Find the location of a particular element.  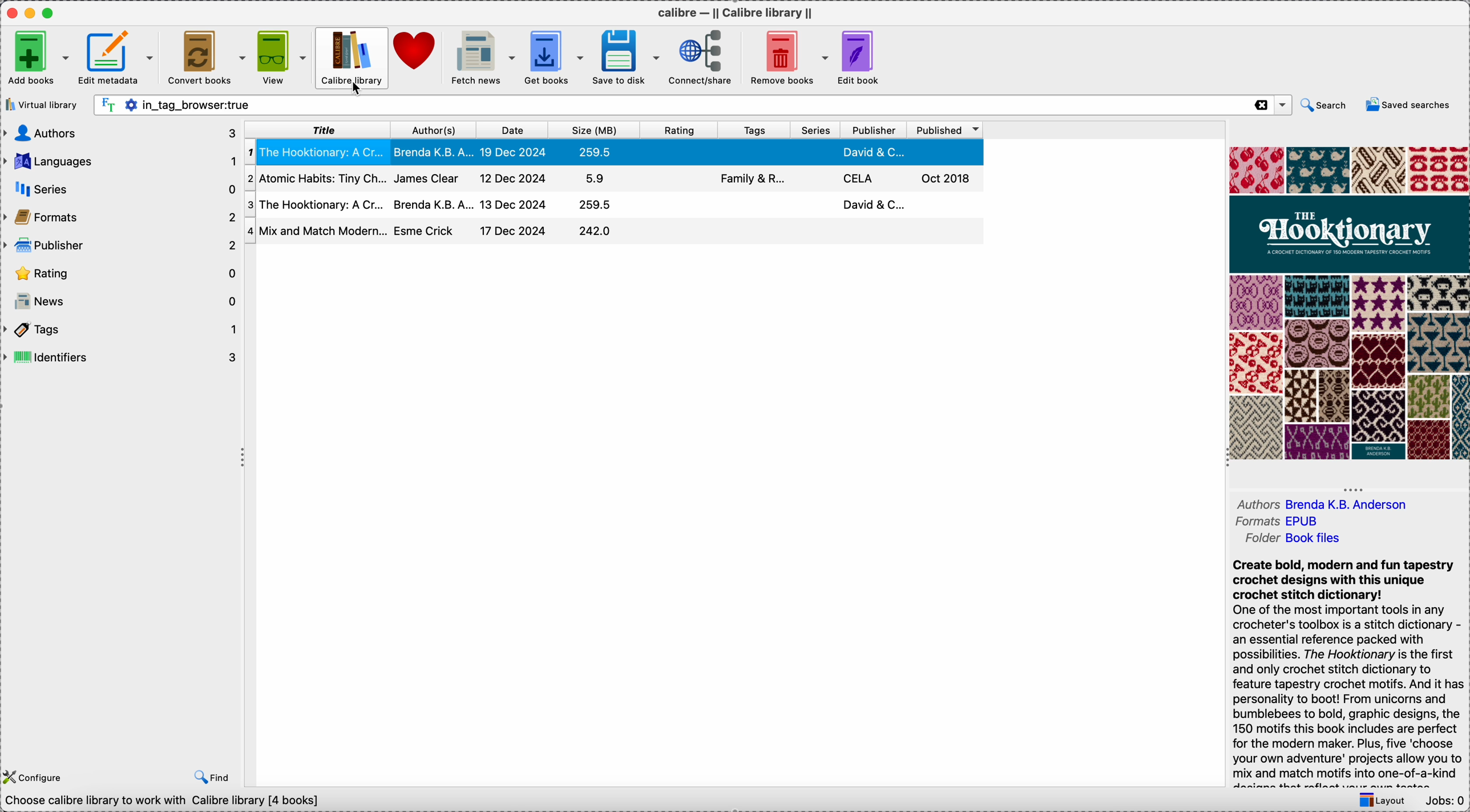

hide is located at coordinates (1351, 487).